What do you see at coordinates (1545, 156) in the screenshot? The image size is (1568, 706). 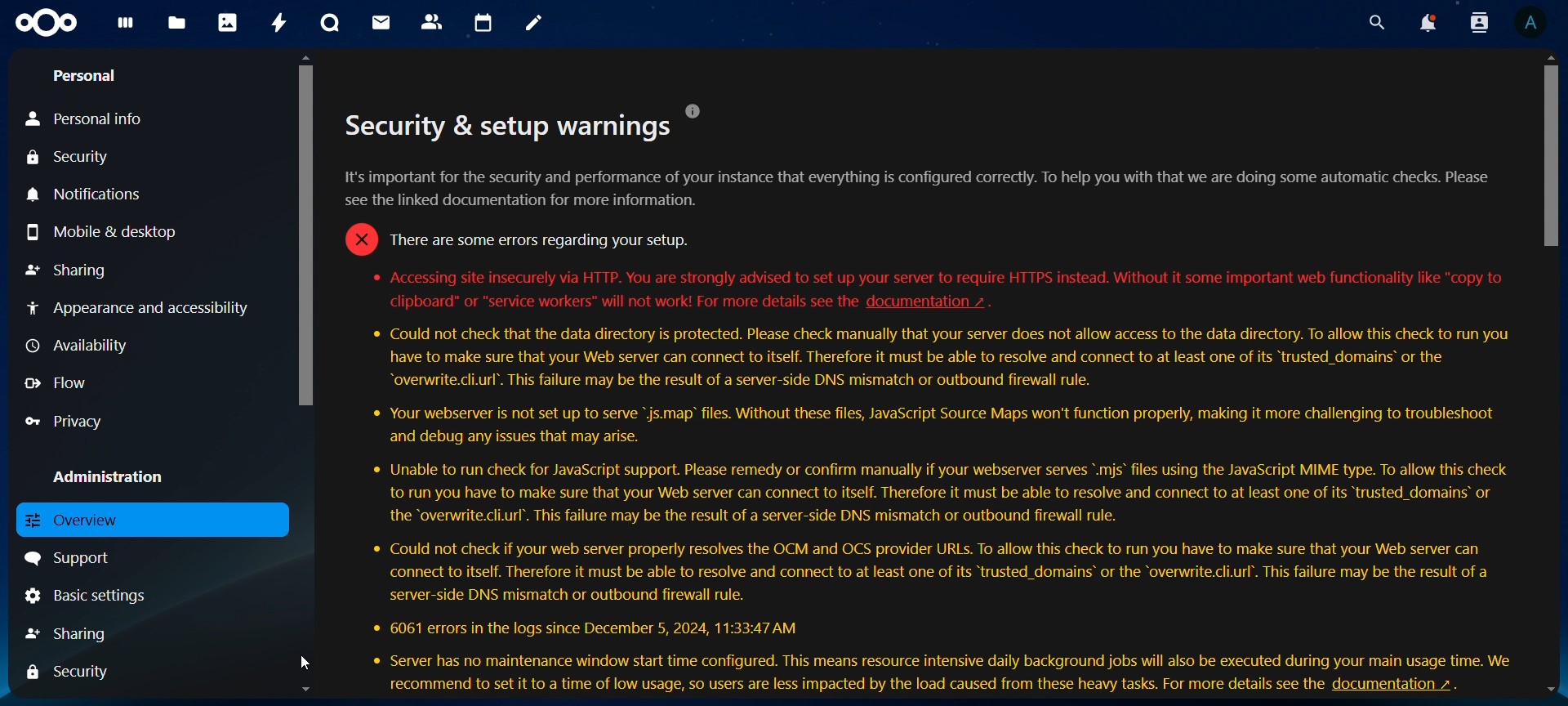 I see `vertical scroll bar` at bounding box center [1545, 156].